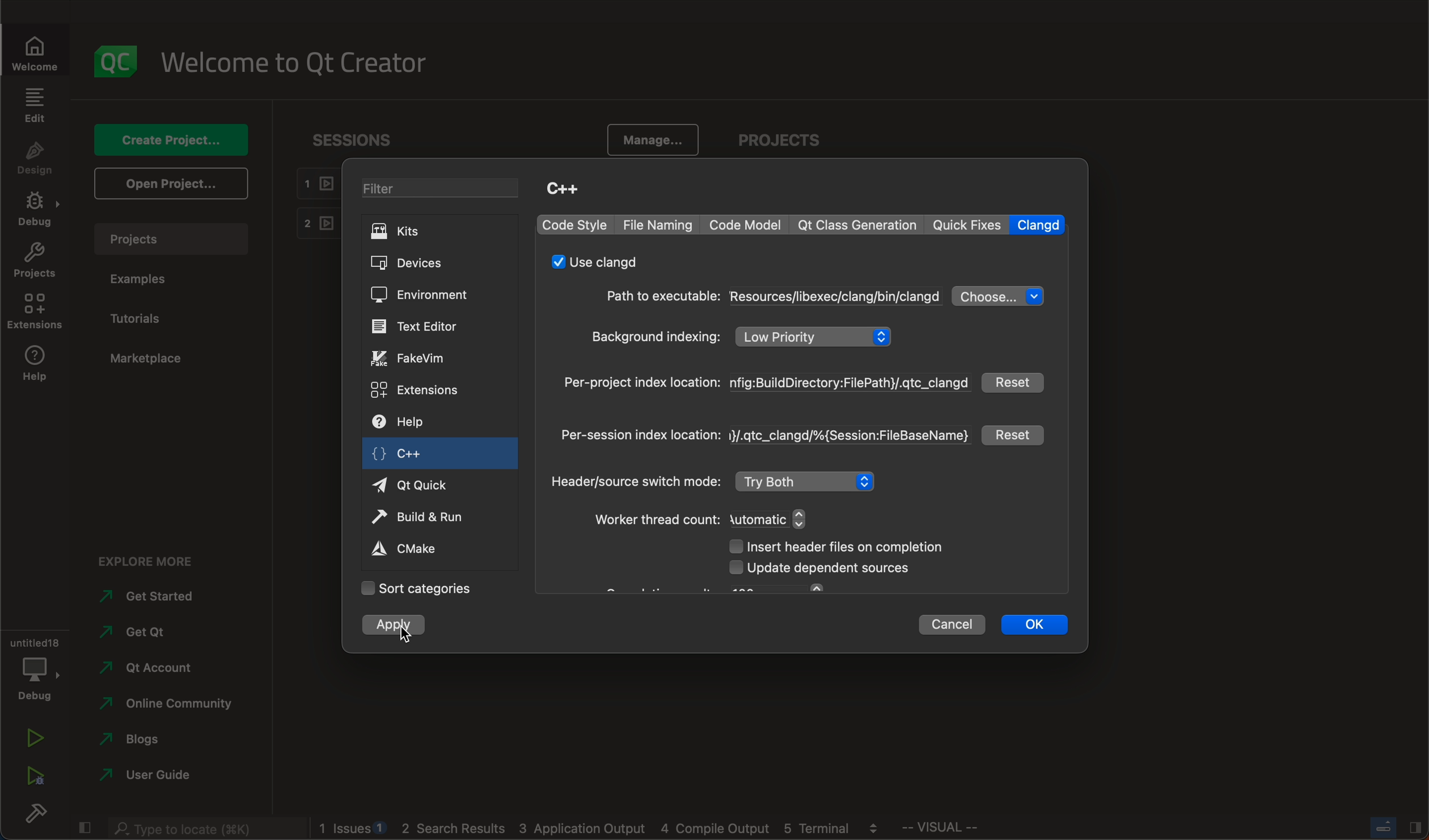 The width and height of the screenshot is (1429, 840). What do you see at coordinates (574, 225) in the screenshot?
I see `code style` at bounding box center [574, 225].